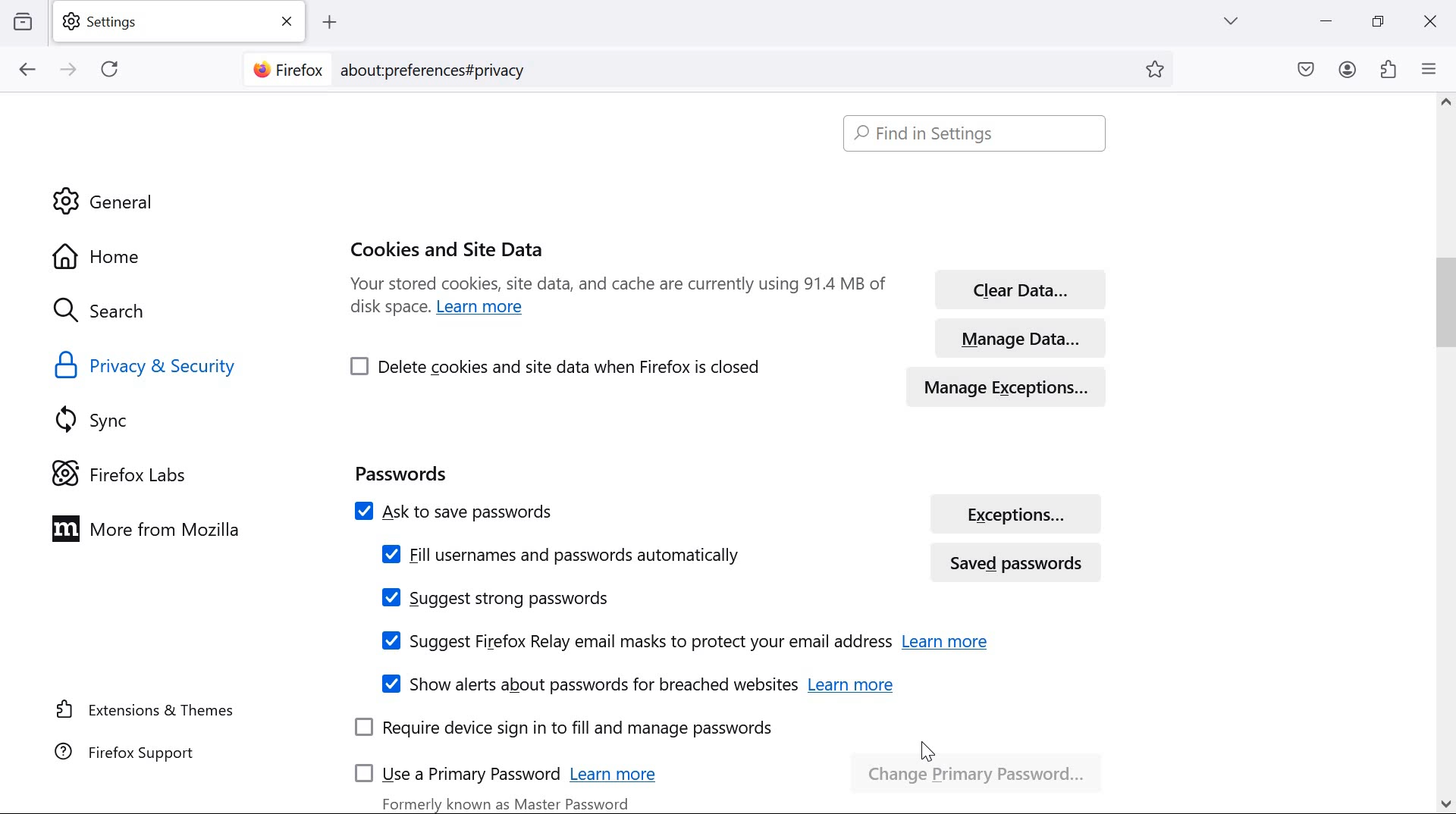 This screenshot has height=814, width=1456. I want to click on Home, so click(140, 255).